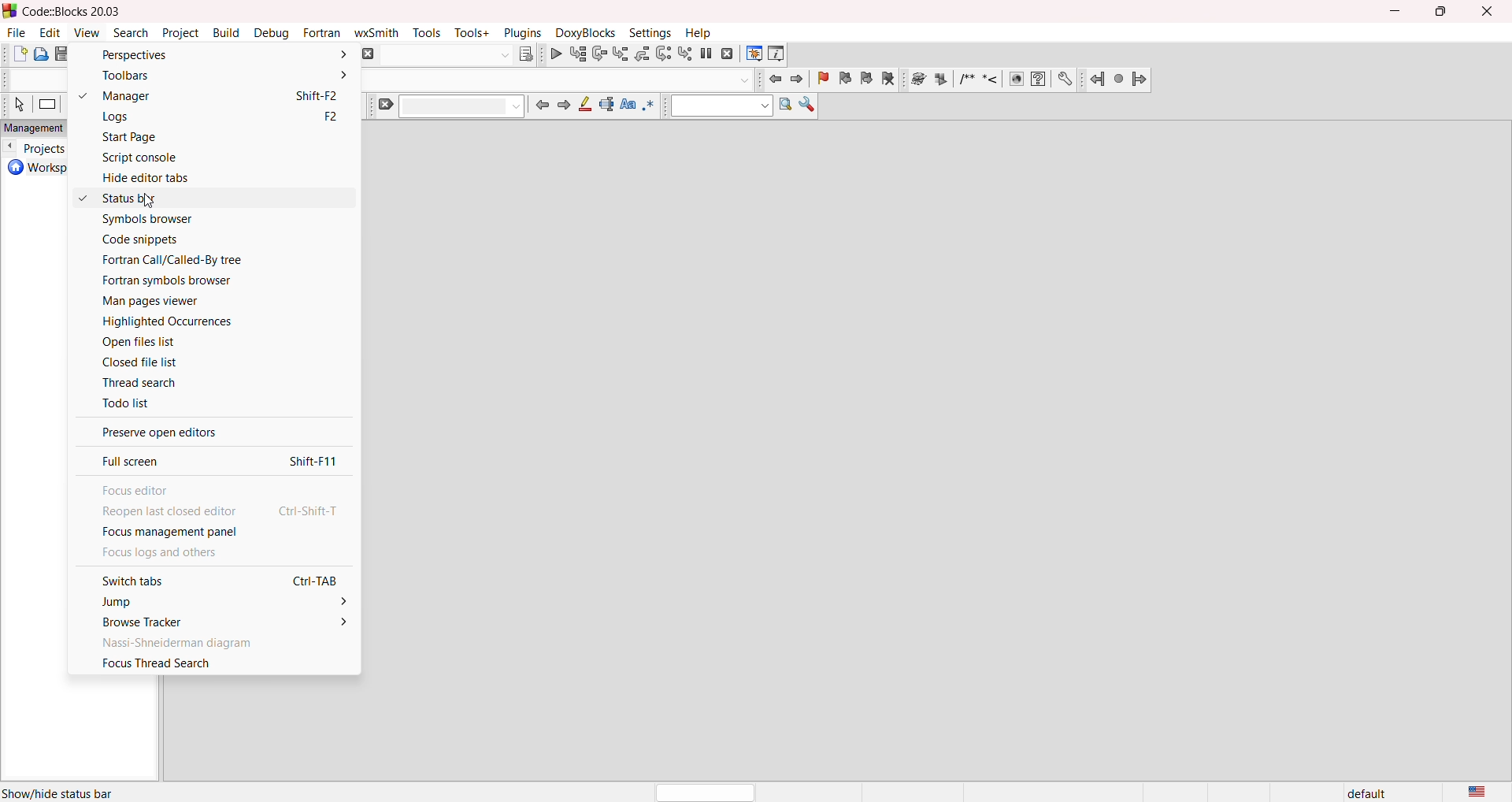 The width and height of the screenshot is (1512, 802). What do you see at coordinates (428, 32) in the screenshot?
I see `tools` at bounding box center [428, 32].